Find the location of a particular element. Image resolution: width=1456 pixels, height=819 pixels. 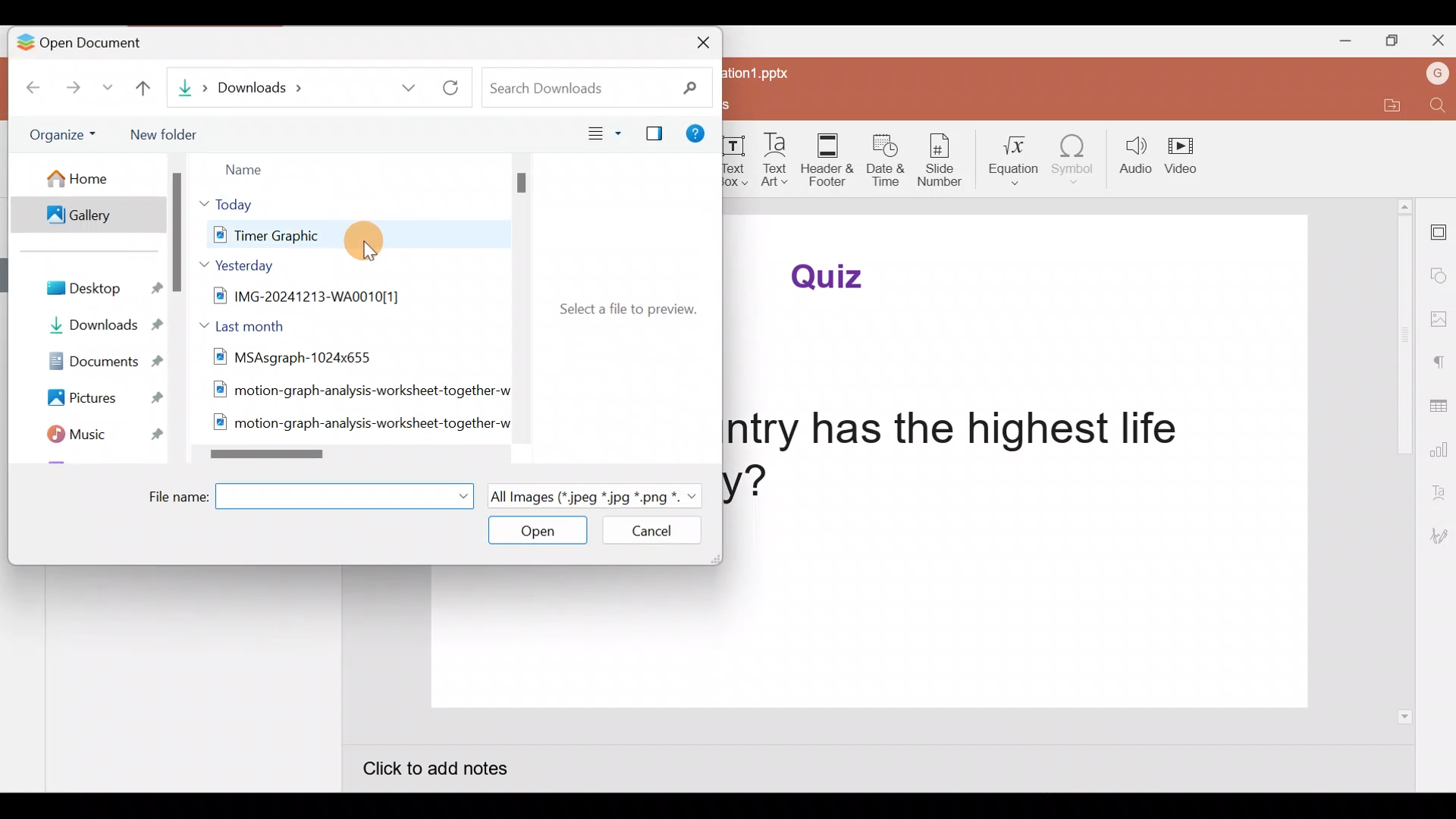

Scroll bar is located at coordinates (1407, 461).